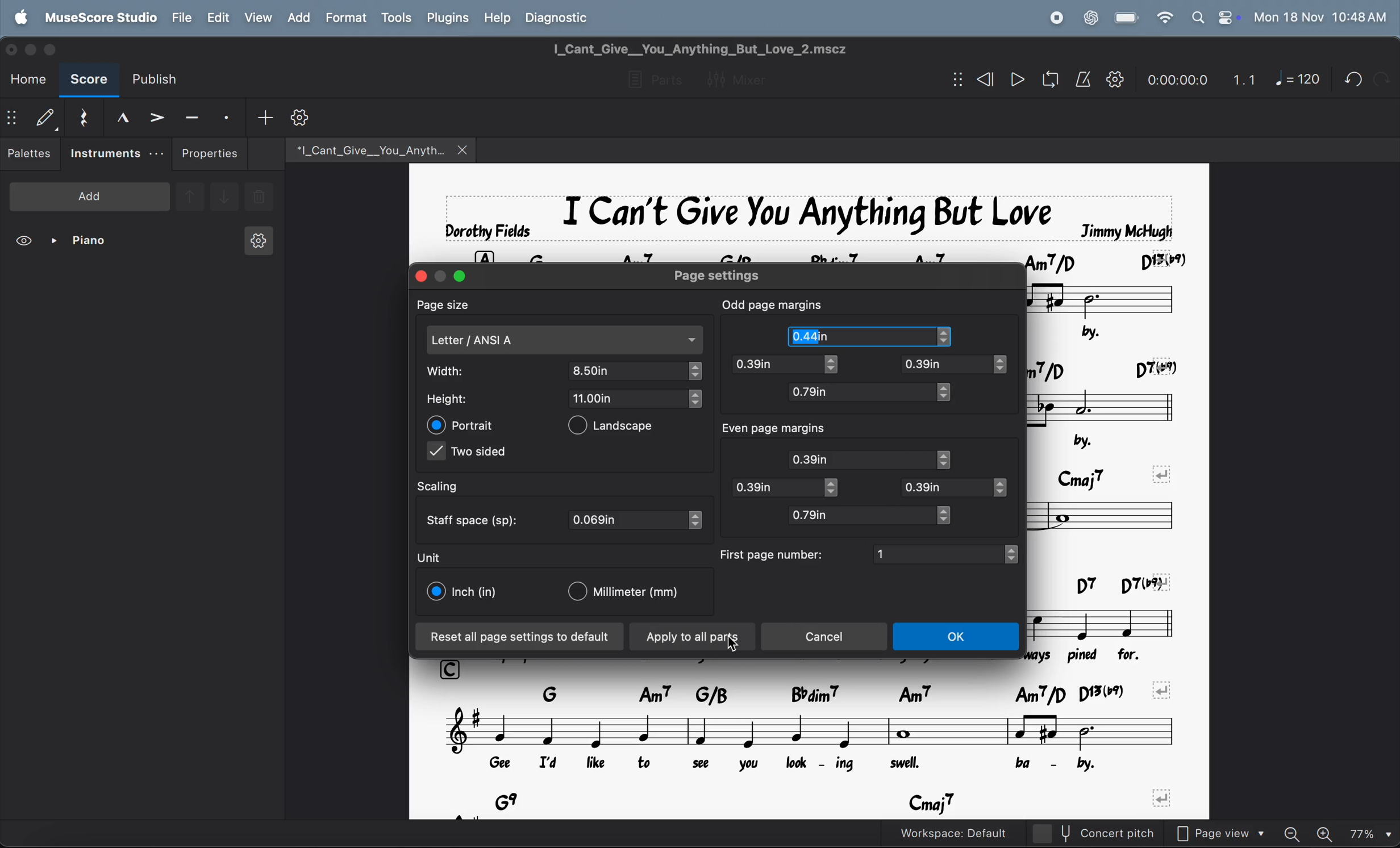  Describe the element at coordinates (862, 459) in the screenshot. I see `0.39in` at that location.